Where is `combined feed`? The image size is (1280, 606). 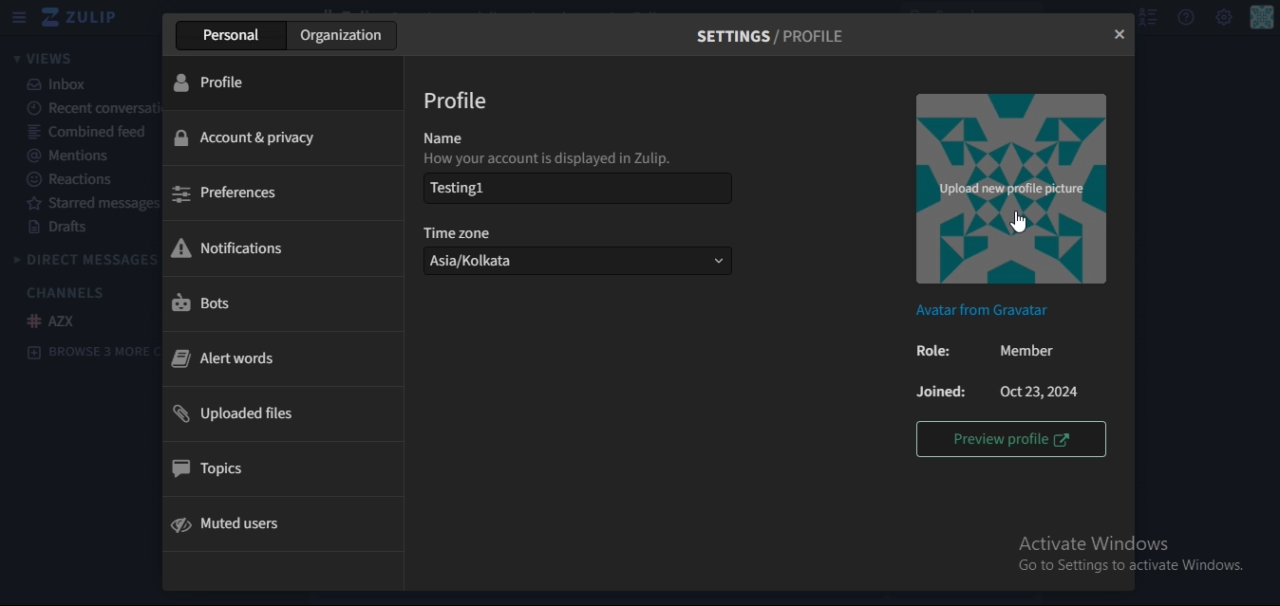 combined feed is located at coordinates (89, 131).